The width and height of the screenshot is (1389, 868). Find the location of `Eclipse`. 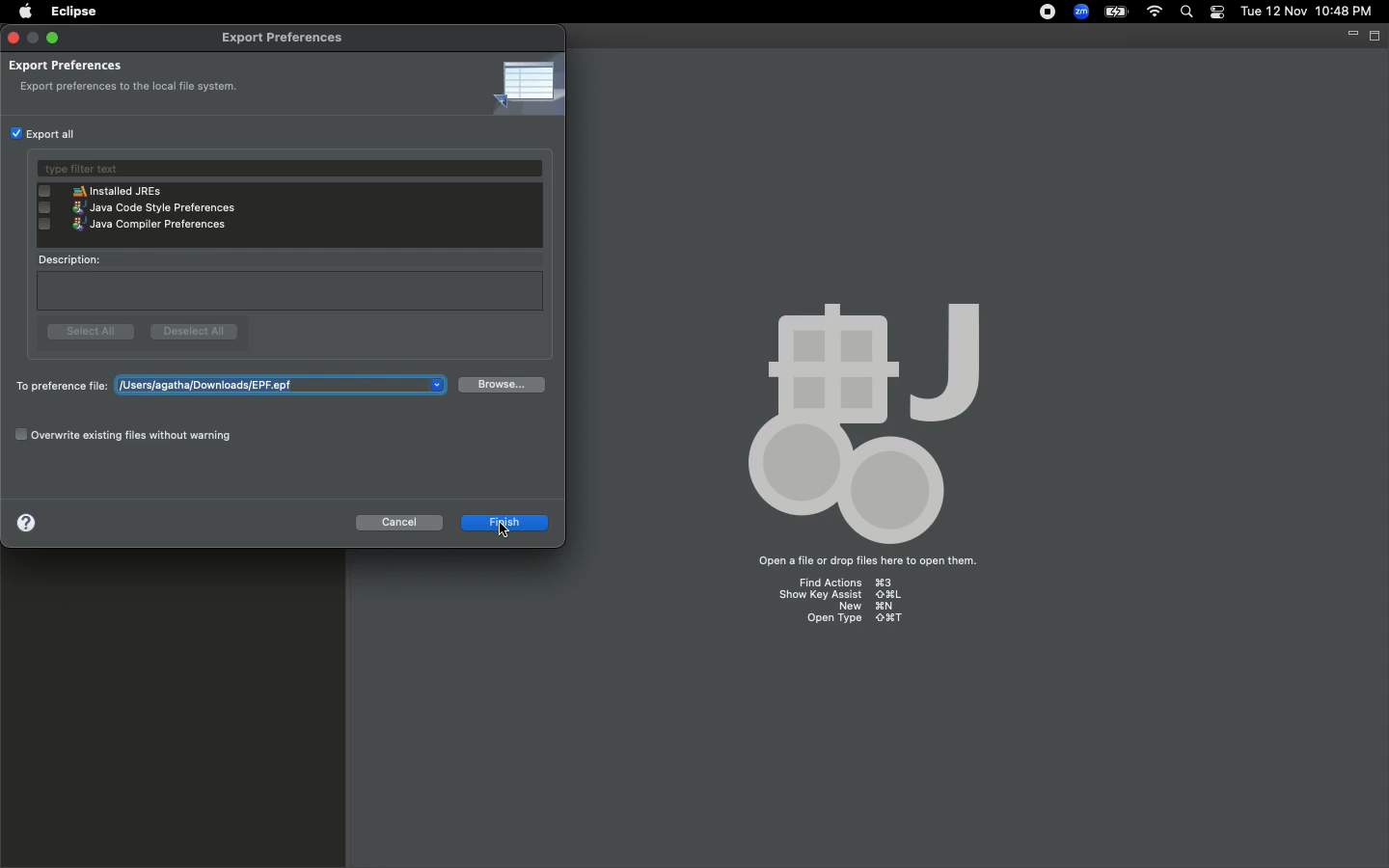

Eclipse is located at coordinates (75, 14).